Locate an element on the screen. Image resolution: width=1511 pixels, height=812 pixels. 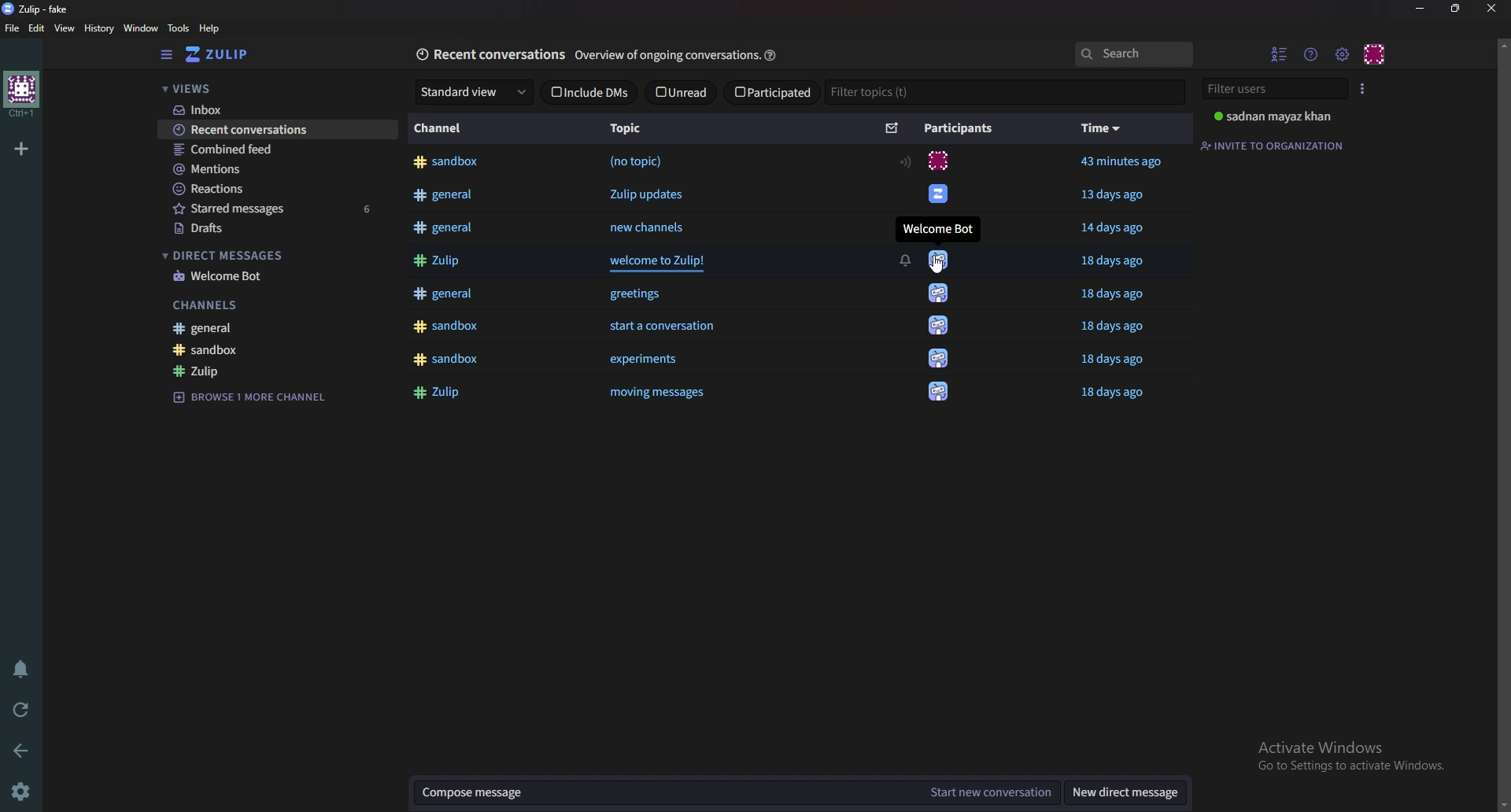
Welcome Bot. is located at coordinates (938, 227).